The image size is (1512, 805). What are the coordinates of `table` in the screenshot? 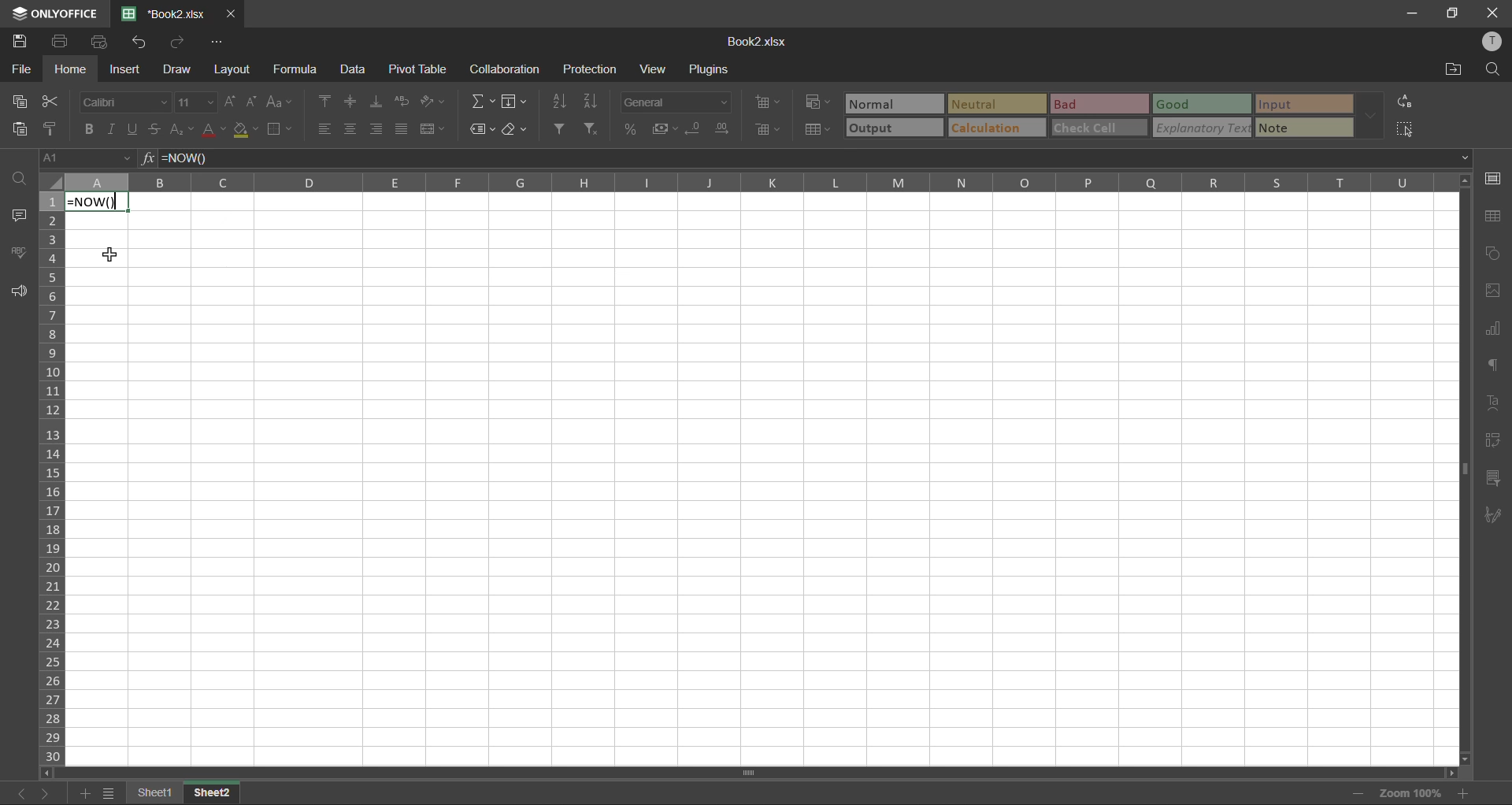 It's located at (1495, 217).